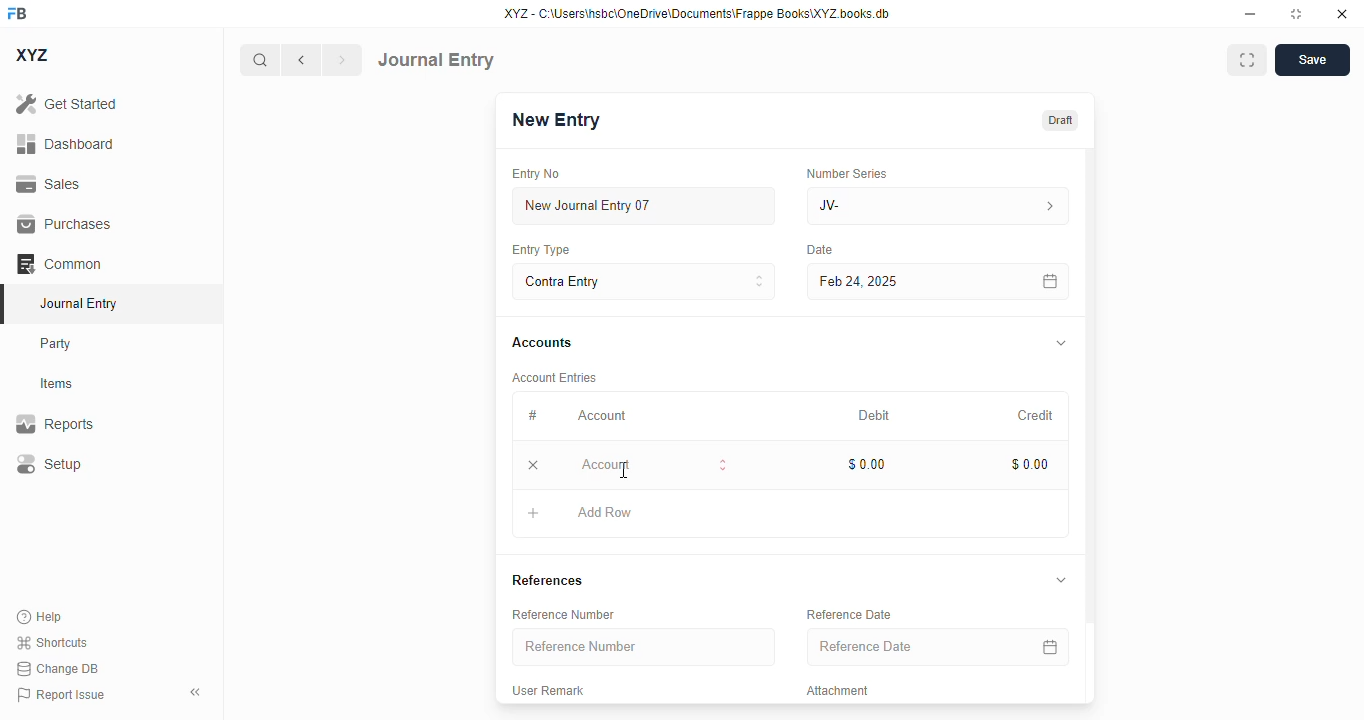  Describe the element at coordinates (566, 614) in the screenshot. I see `reference number` at that location.